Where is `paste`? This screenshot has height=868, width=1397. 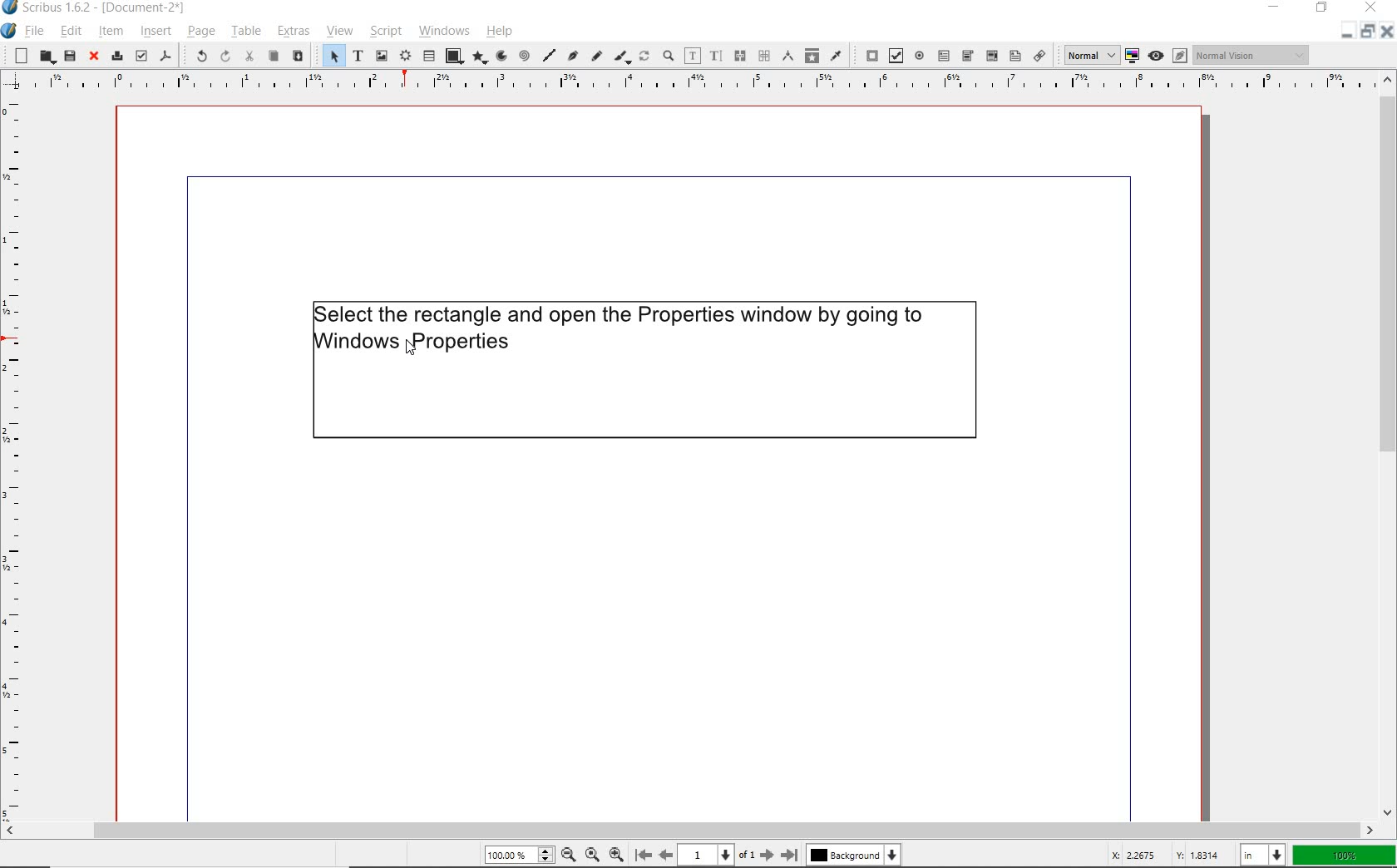
paste is located at coordinates (299, 57).